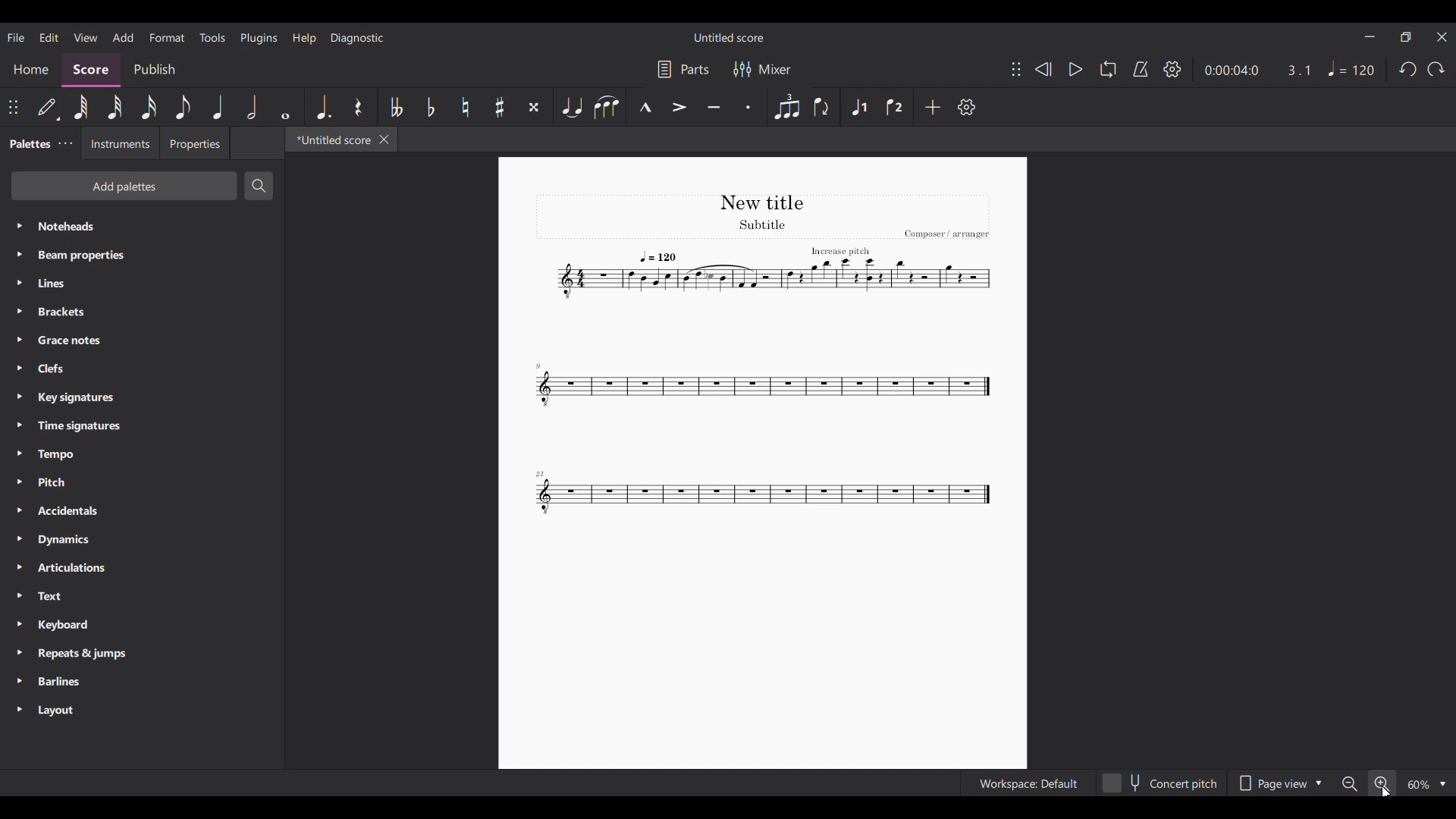 This screenshot has width=1456, height=819. Describe the element at coordinates (429, 107) in the screenshot. I see `Toggle flat` at that location.